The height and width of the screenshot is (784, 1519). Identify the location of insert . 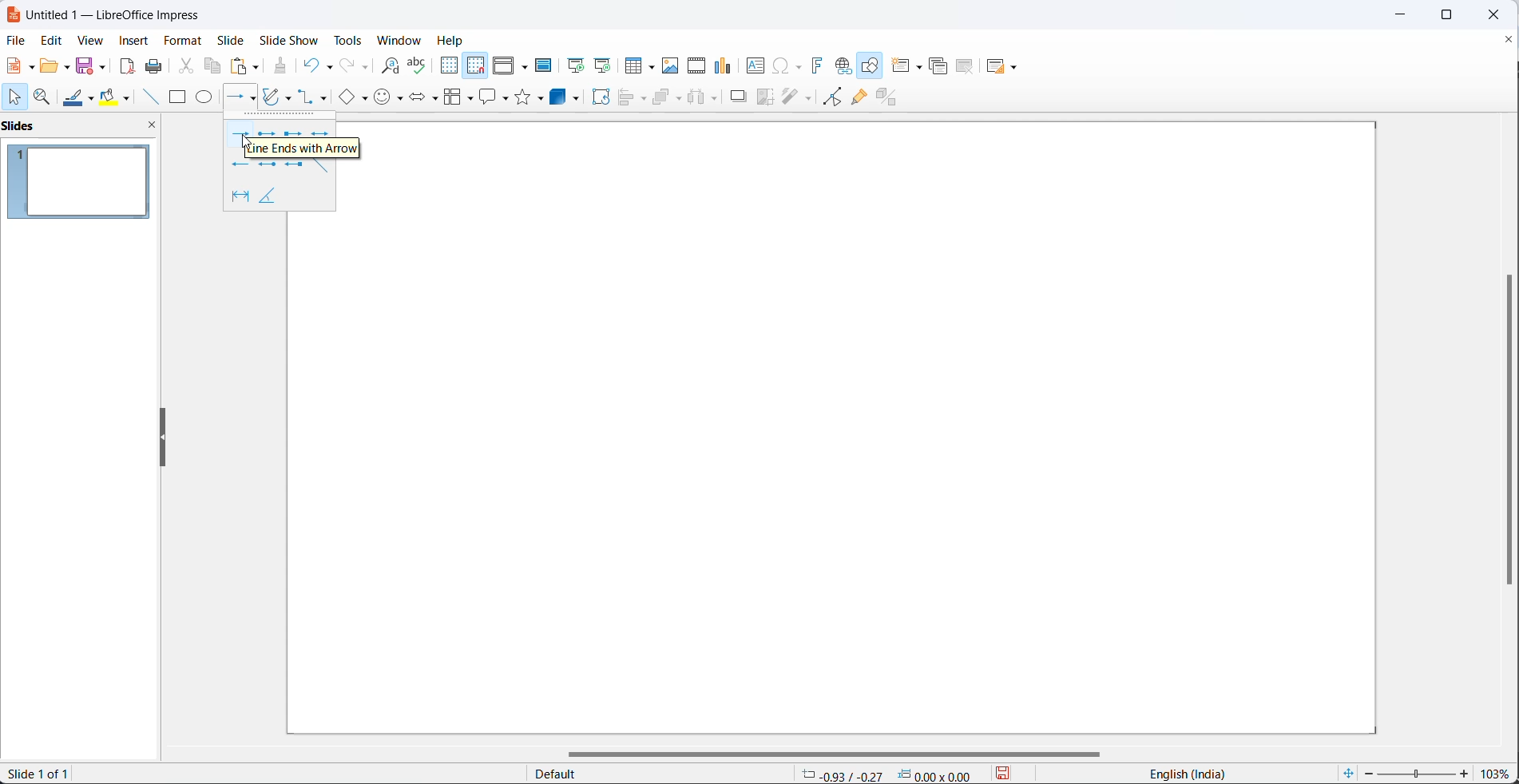
(137, 42).